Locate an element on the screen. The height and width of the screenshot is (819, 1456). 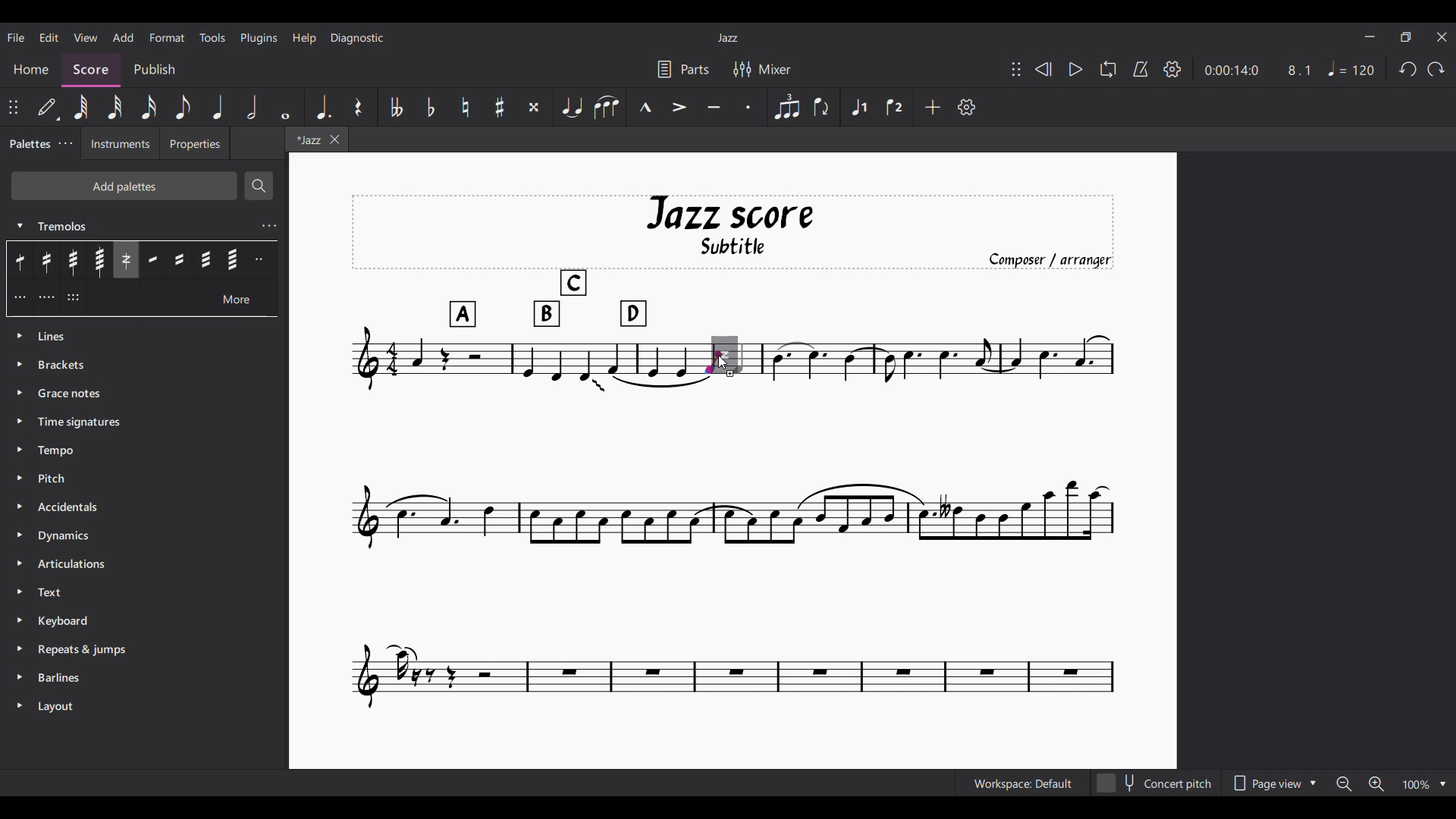
Slur is located at coordinates (607, 107).